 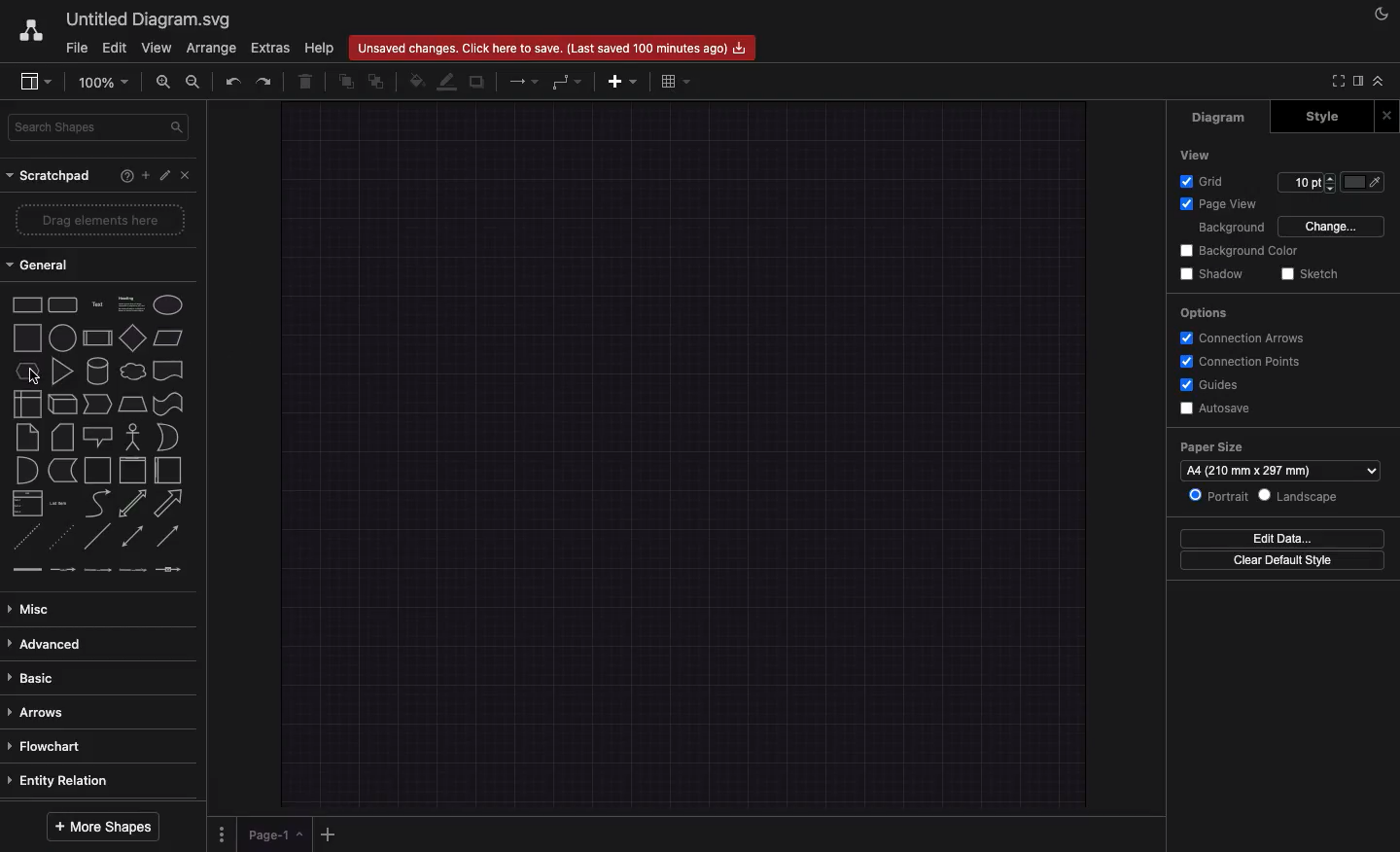 I want to click on Full screen, so click(x=1332, y=80).